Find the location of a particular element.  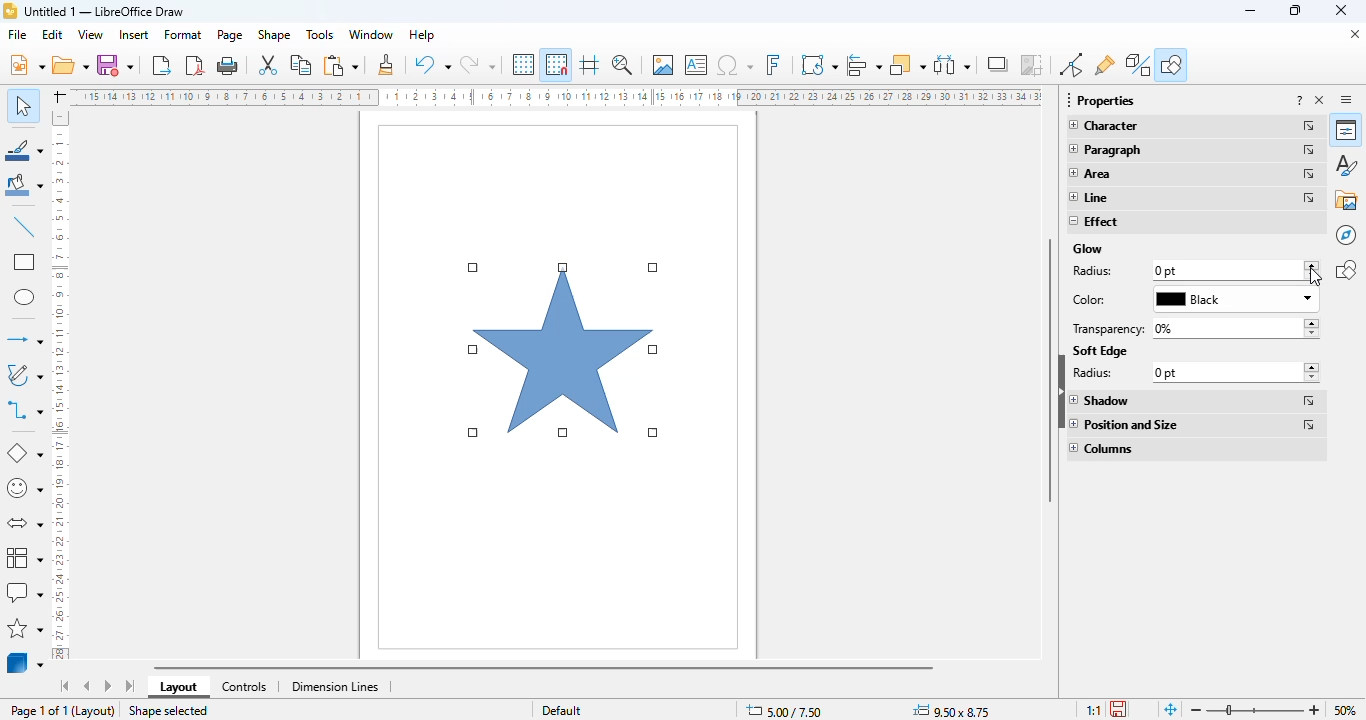

gallery is located at coordinates (1346, 200).